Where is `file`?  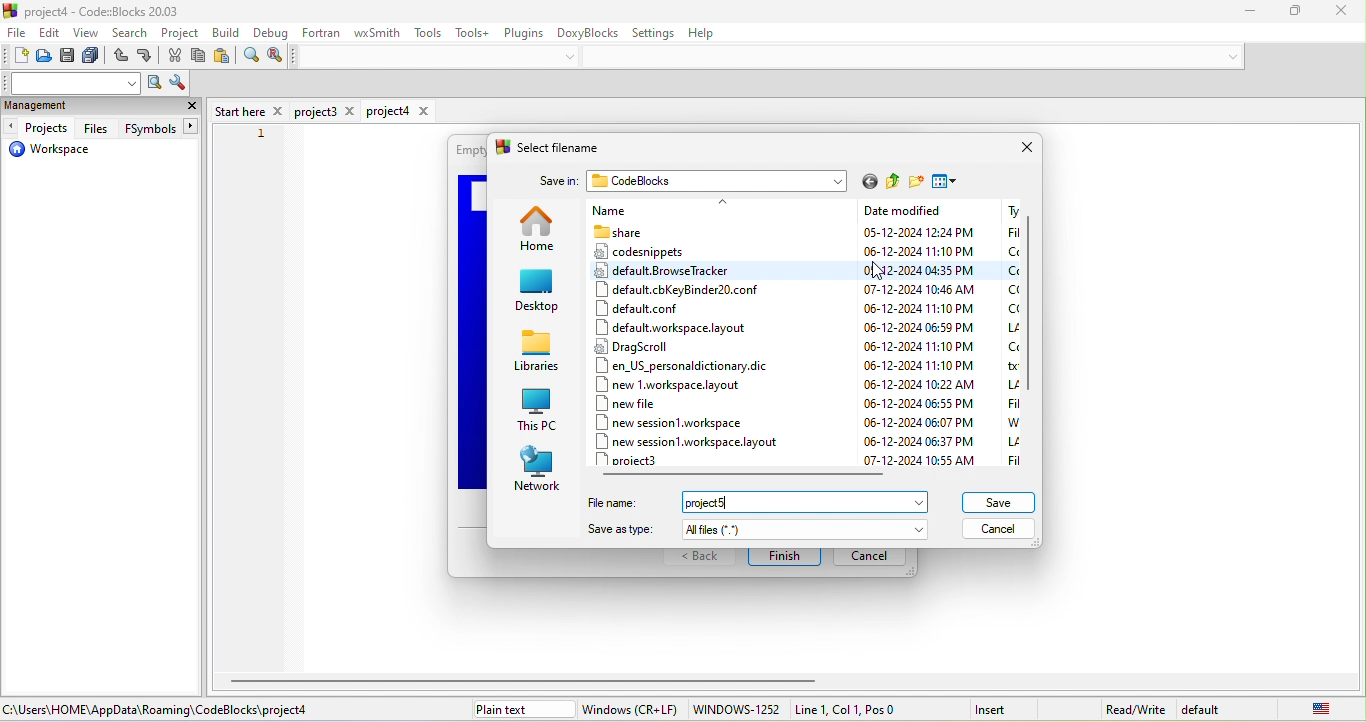
file is located at coordinates (16, 35).